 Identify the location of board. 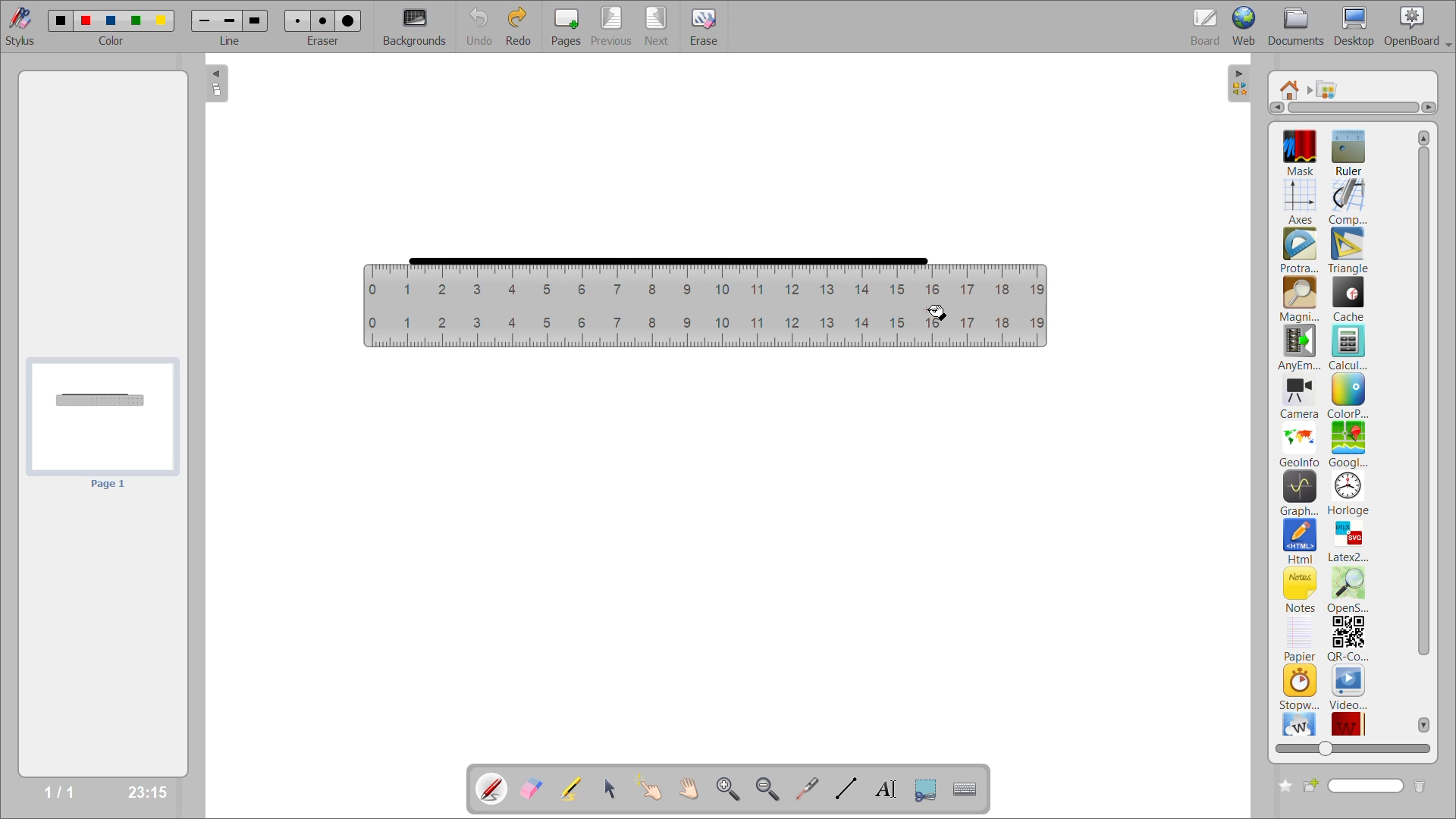
(1208, 26).